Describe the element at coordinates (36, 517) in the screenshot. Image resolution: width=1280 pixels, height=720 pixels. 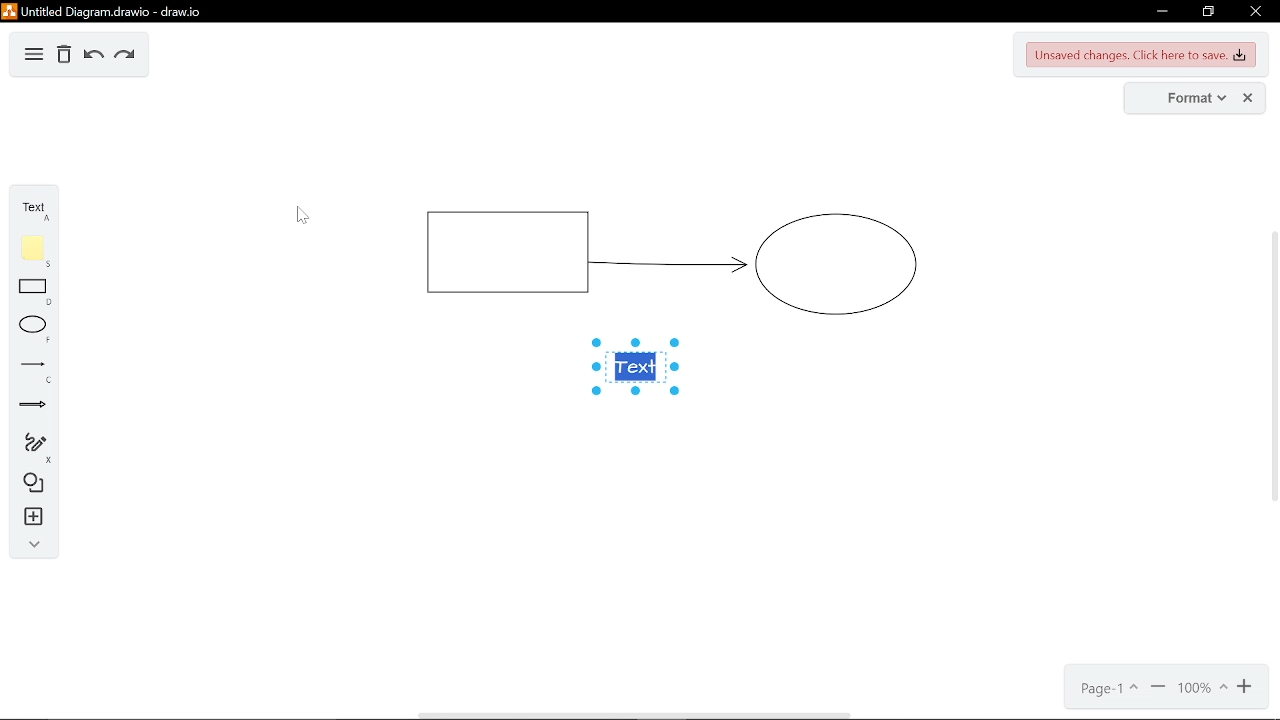
I see `insert` at that location.